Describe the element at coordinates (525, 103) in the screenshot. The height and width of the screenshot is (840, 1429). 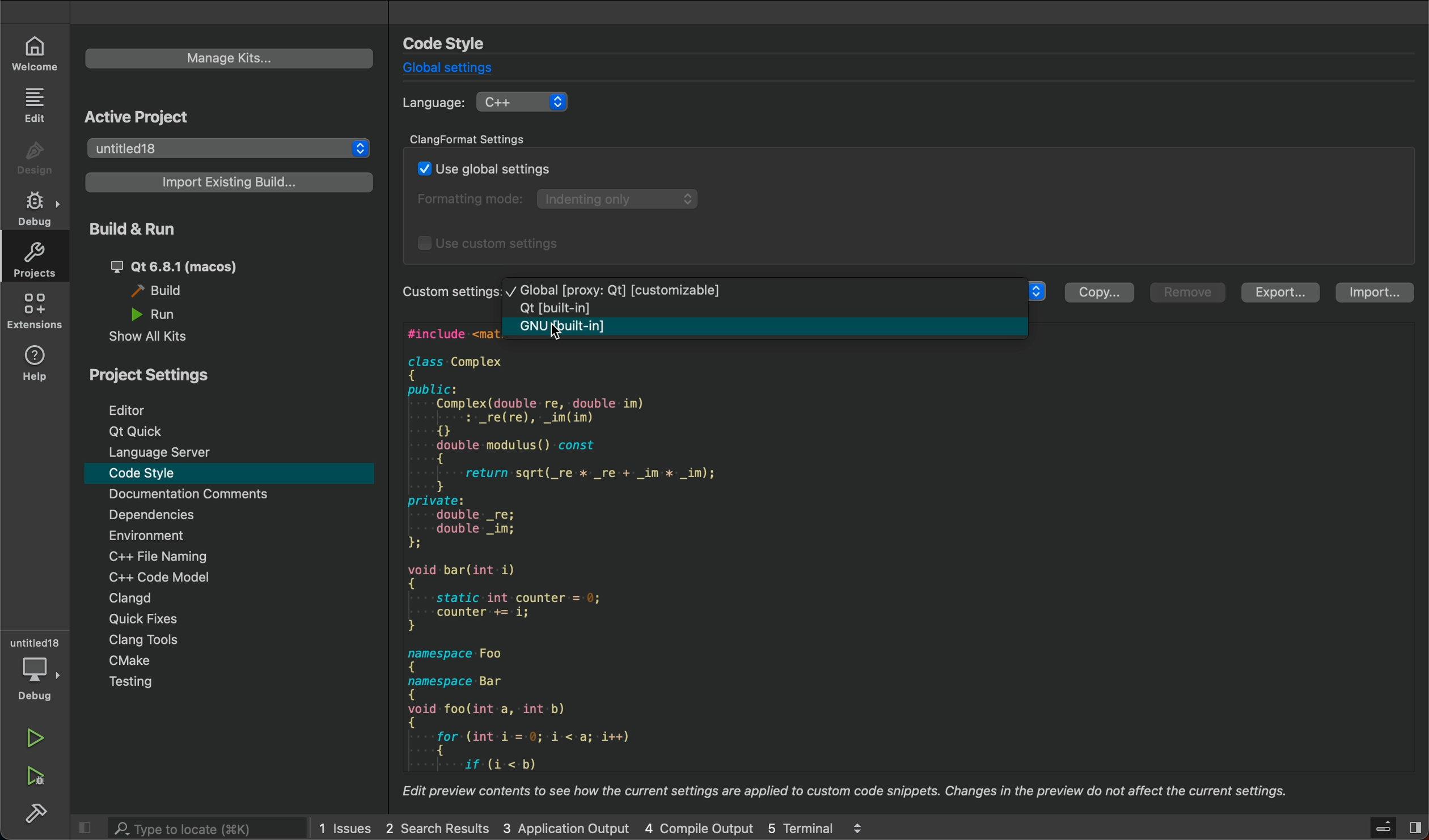
I see `C++` at that location.